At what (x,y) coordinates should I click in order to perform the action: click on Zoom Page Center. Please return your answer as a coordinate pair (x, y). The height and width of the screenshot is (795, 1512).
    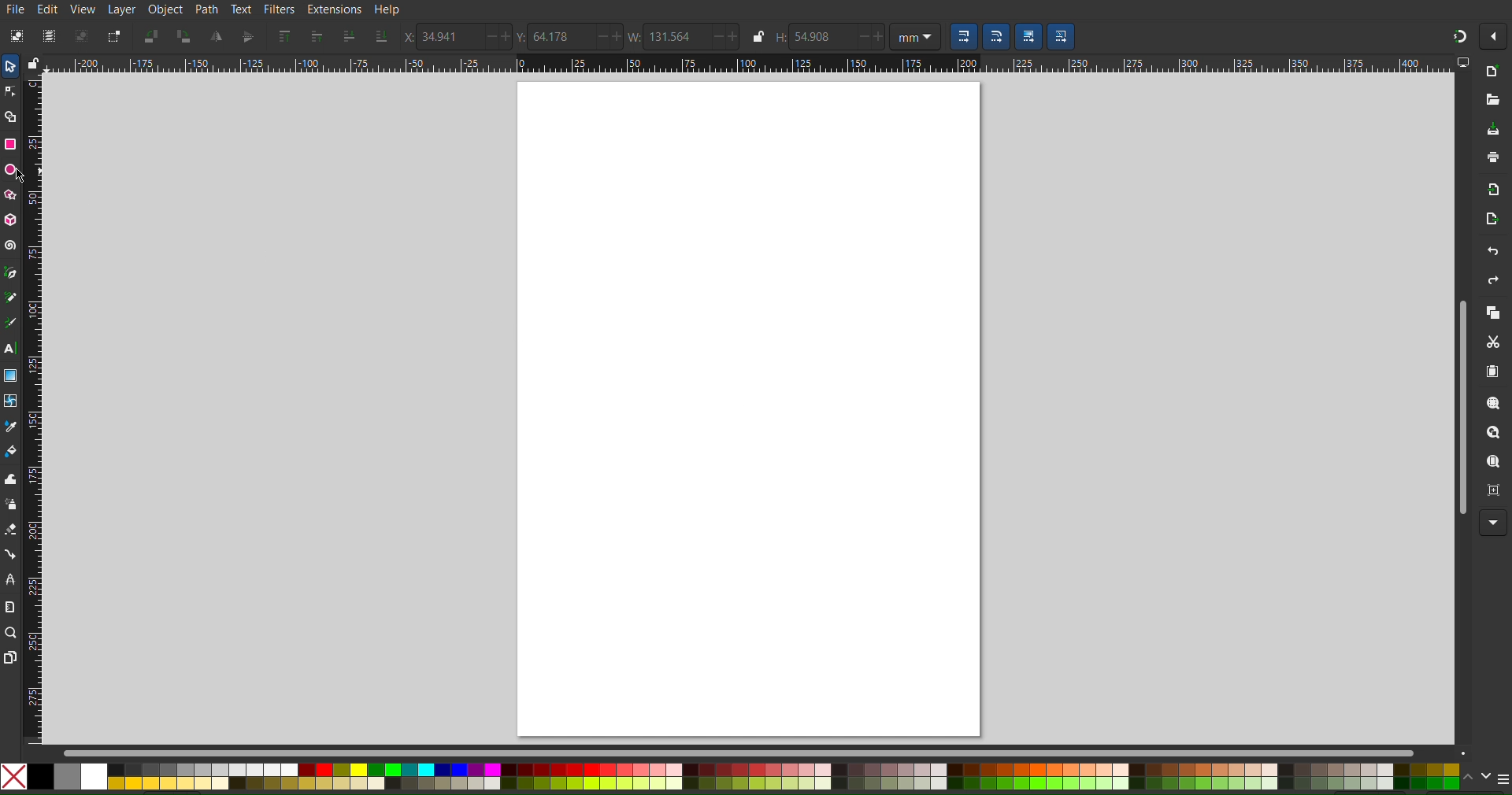
    Looking at the image, I should click on (1493, 491).